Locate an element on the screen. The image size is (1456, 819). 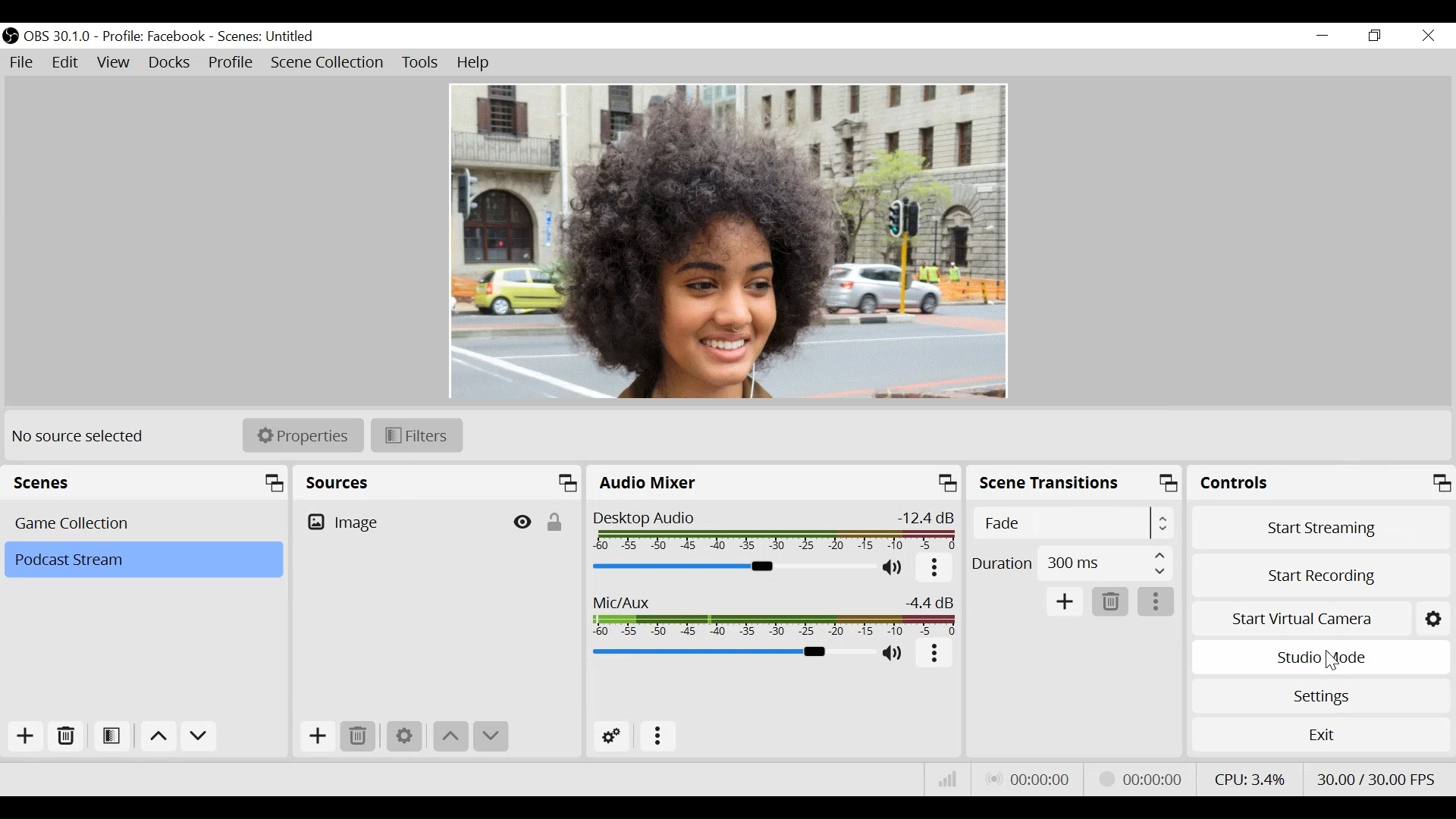
Studio Mode is located at coordinates (1319, 658).